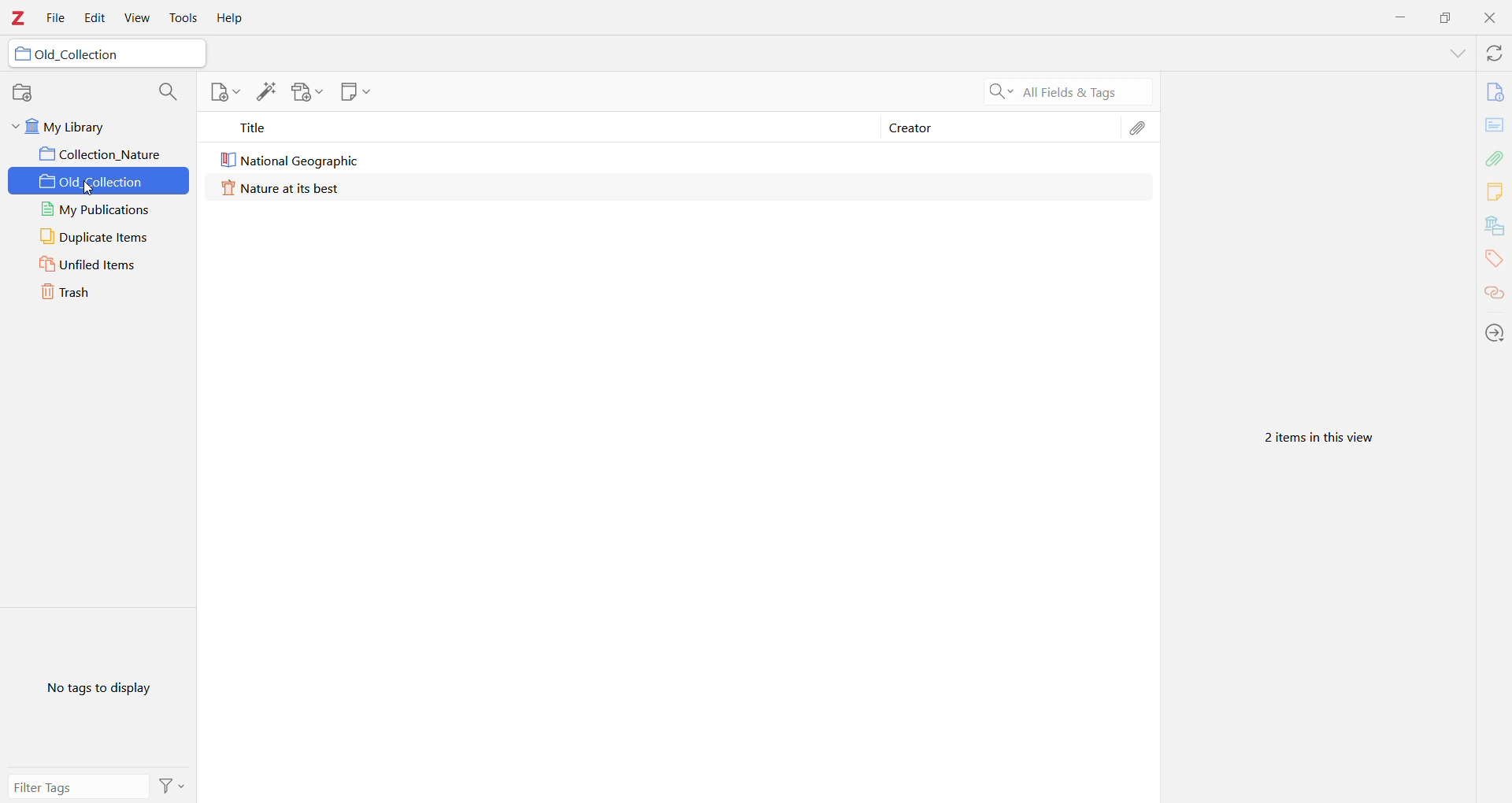 This screenshot has width=1512, height=803. Describe the element at coordinates (174, 785) in the screenshot. I see `Actions` at that location.